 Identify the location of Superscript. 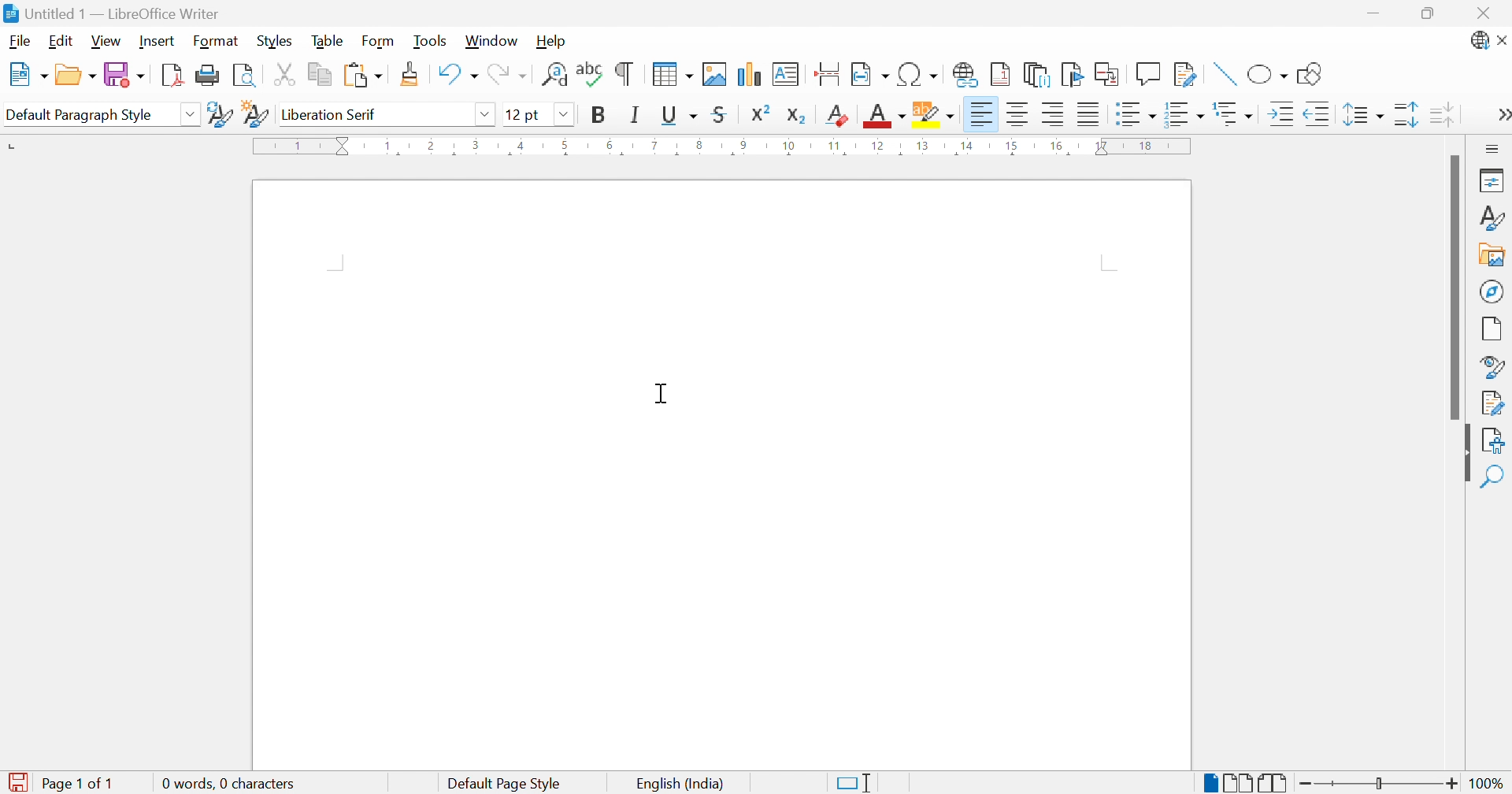
(759, 113).